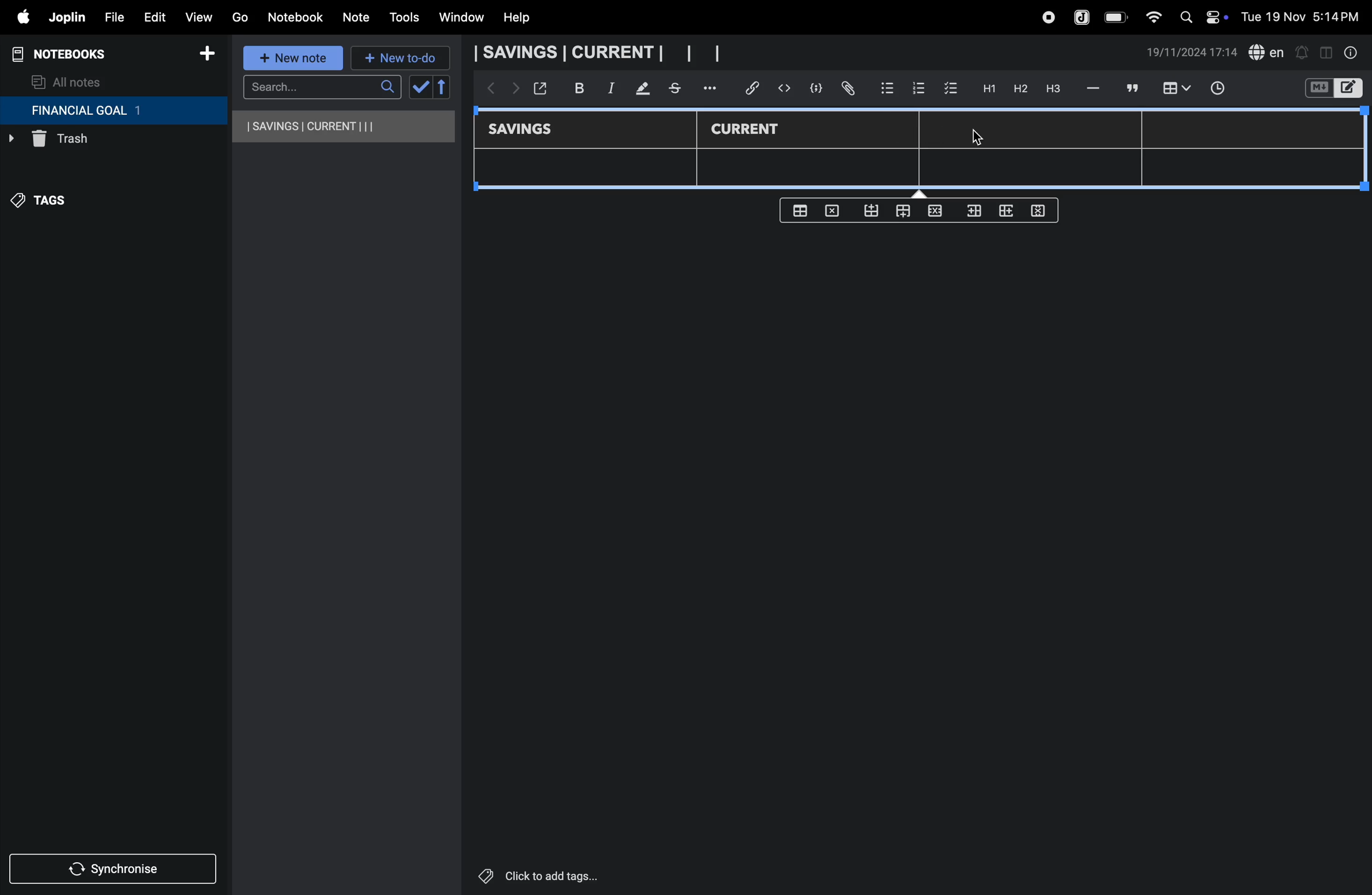 Image resolution: width=1372 pixels, height=895 pixels. I want to click on savings, so click(529, 130).